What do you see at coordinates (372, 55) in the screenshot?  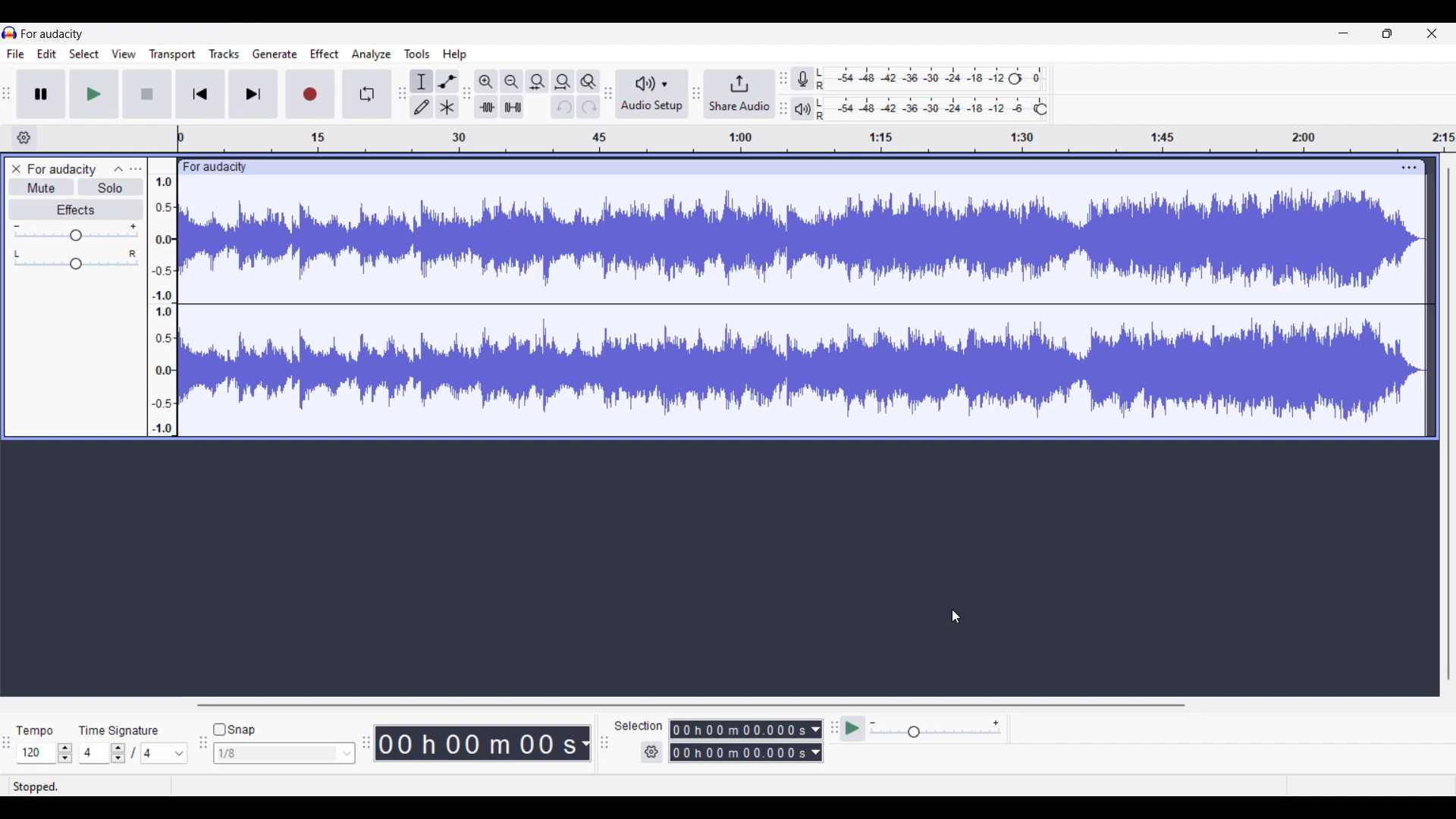 I see `Analyze menu` at bounding box center [372, 55].